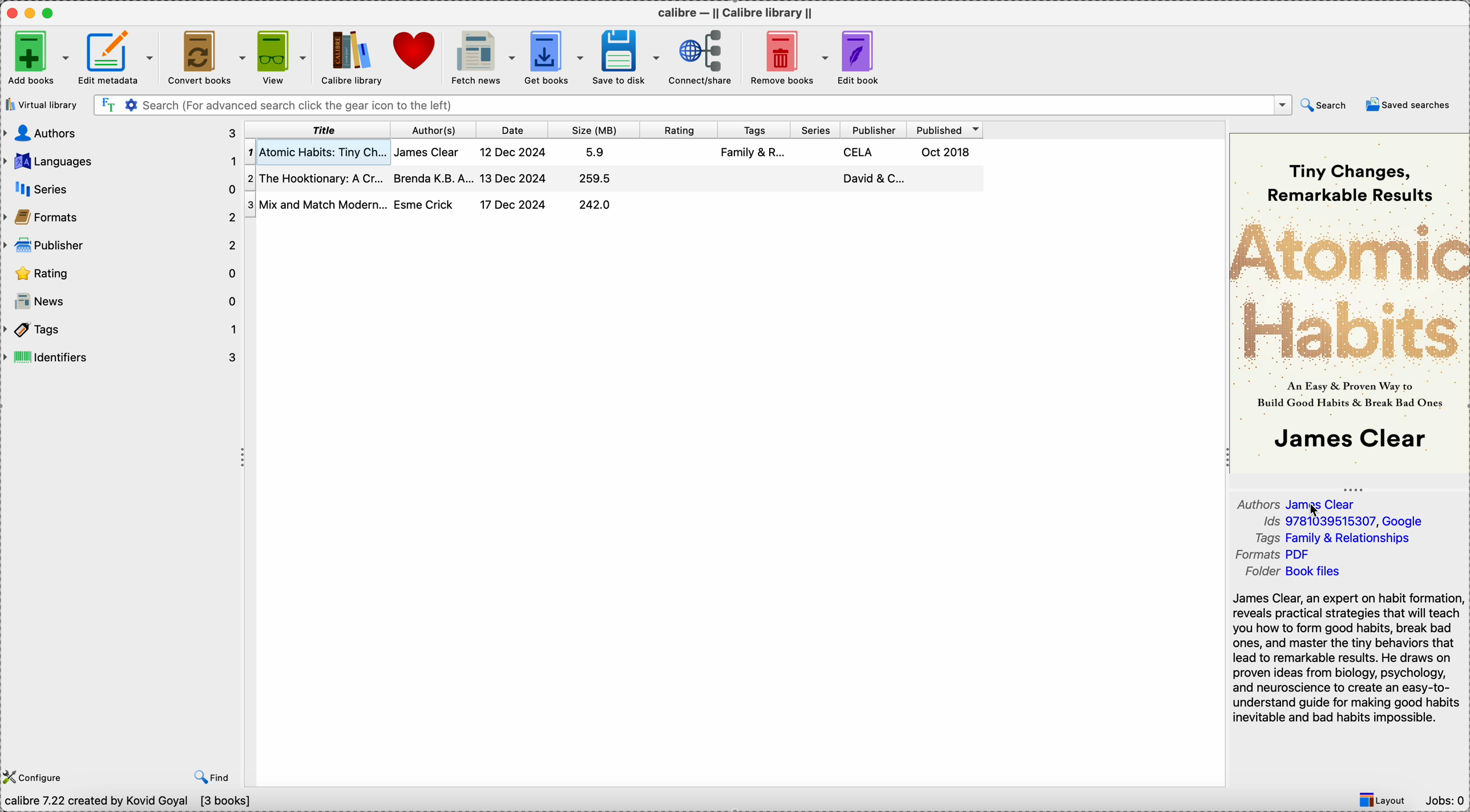 This screenshot has width=1470, height=812. What do you see at coordinates (680, 128) in the screenshot?
I see `rating` at bounding box center [680, 128].